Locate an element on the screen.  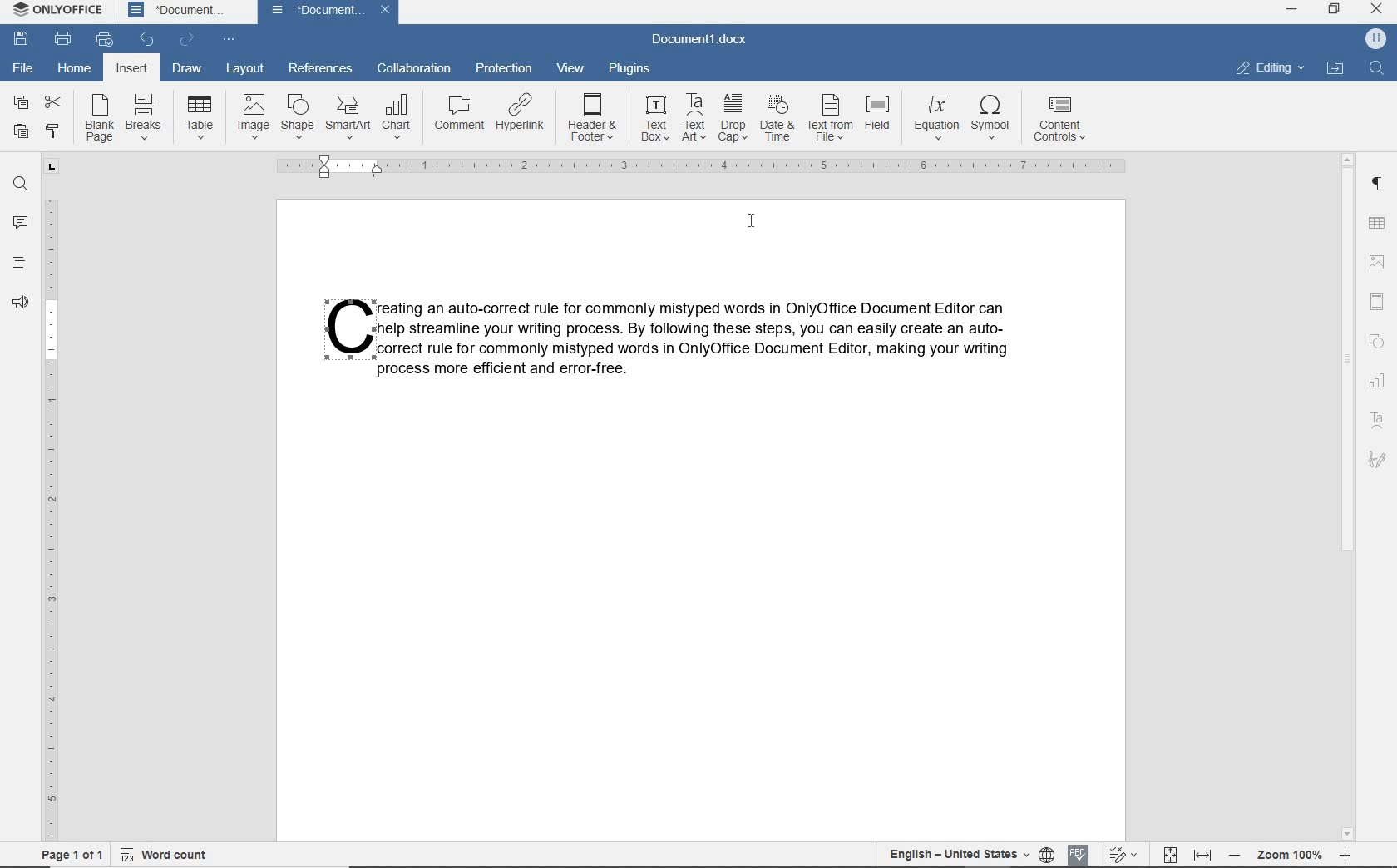
signature is located at coordinates (1379, 460).